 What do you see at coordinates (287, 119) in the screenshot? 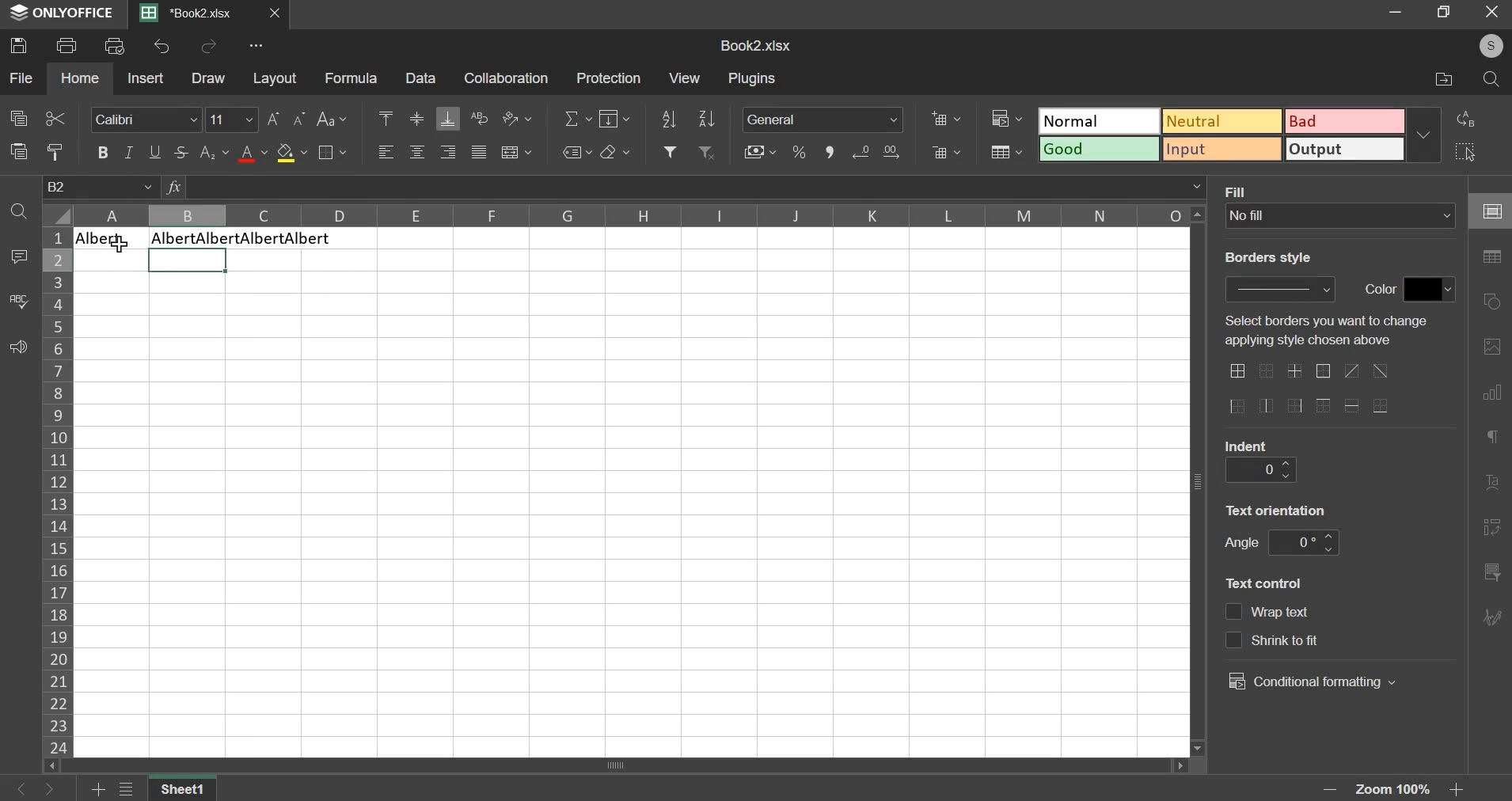
I see `font size increase/decrease` at bounding box center [287, 119].